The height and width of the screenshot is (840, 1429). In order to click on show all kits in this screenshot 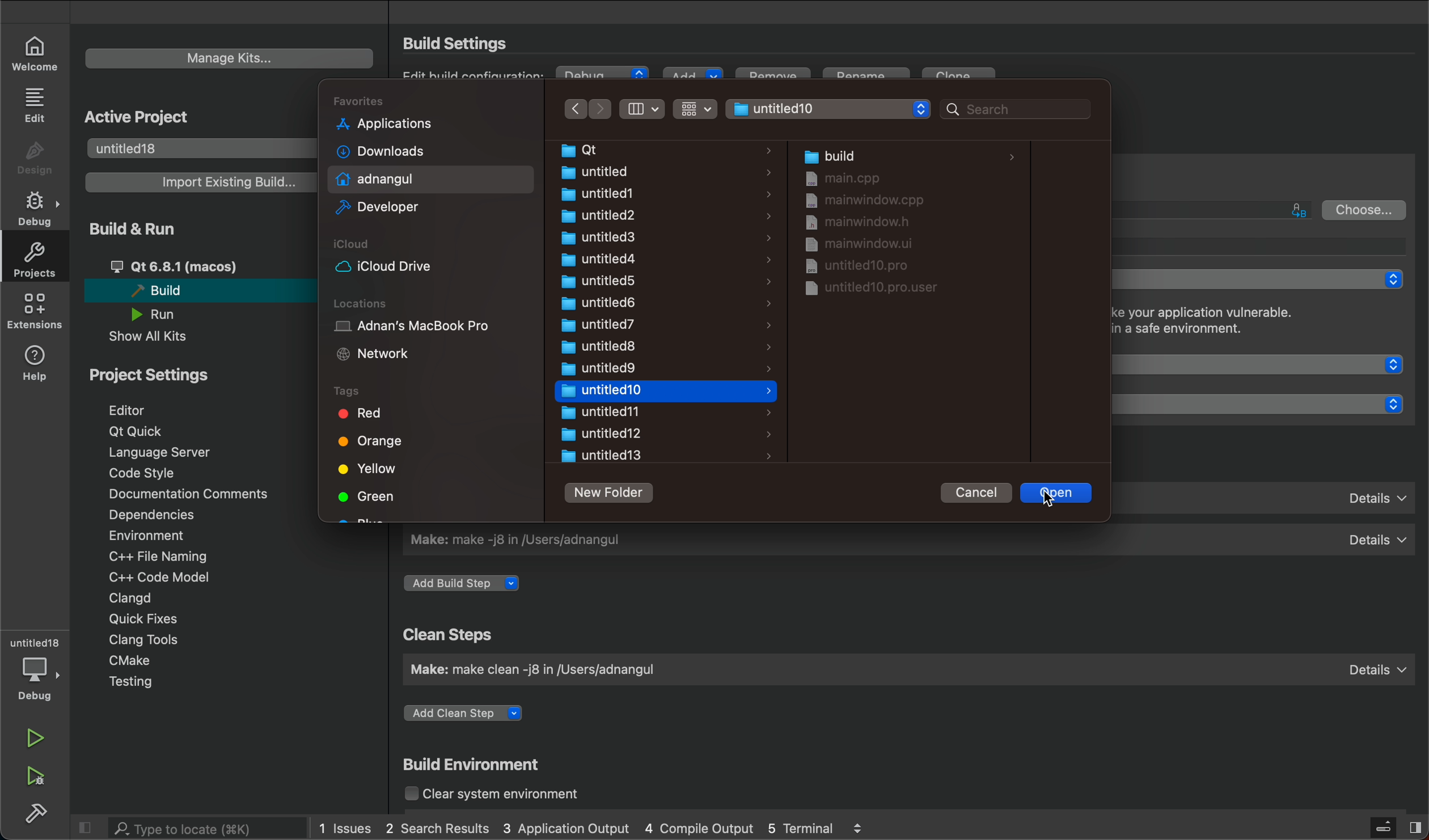, I will do `click(147, 338)`.